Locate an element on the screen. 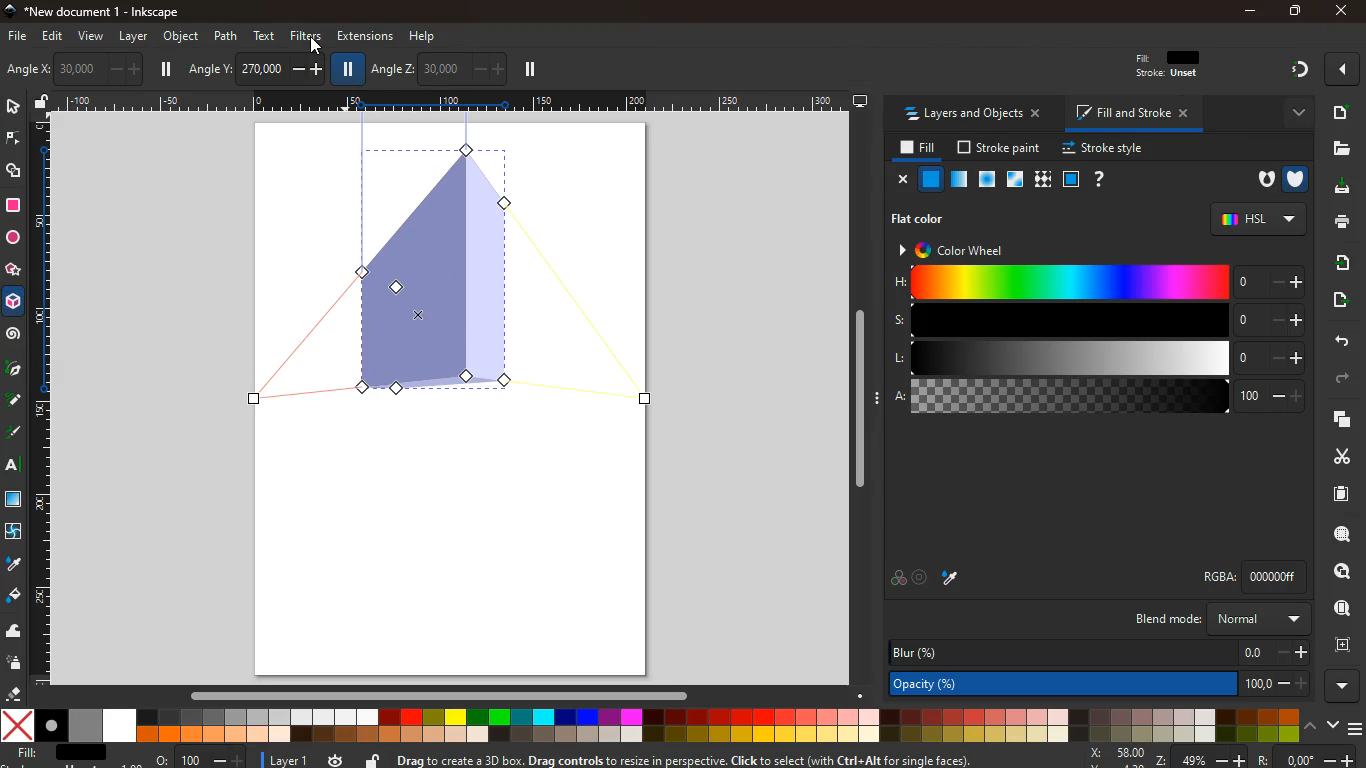 Image resolution: width=1366 pixels, height=768 pixels. edge is located at coordinates (12, 140).